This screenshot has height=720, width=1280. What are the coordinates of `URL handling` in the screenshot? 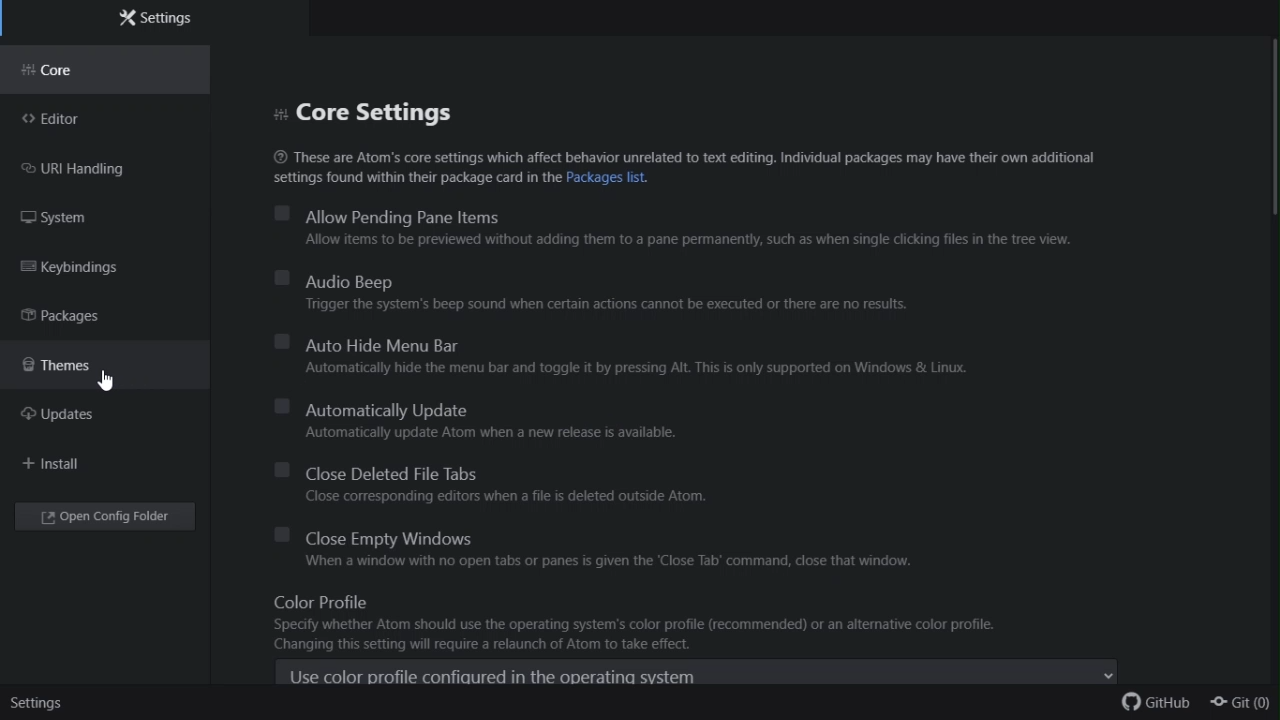 It's located at (94, 171).